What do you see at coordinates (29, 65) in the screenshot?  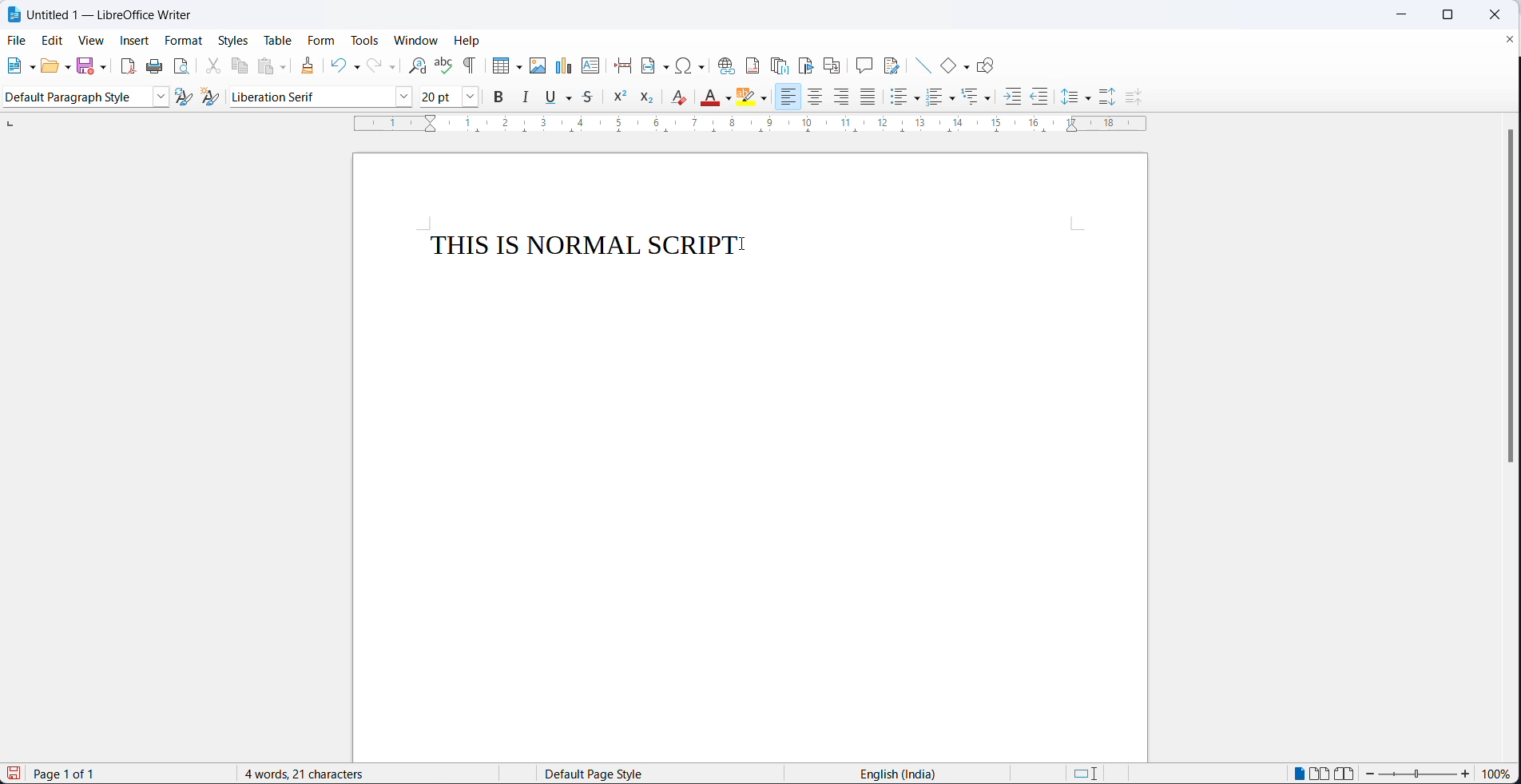 I see `new file options` at bounding box center [29, 65].